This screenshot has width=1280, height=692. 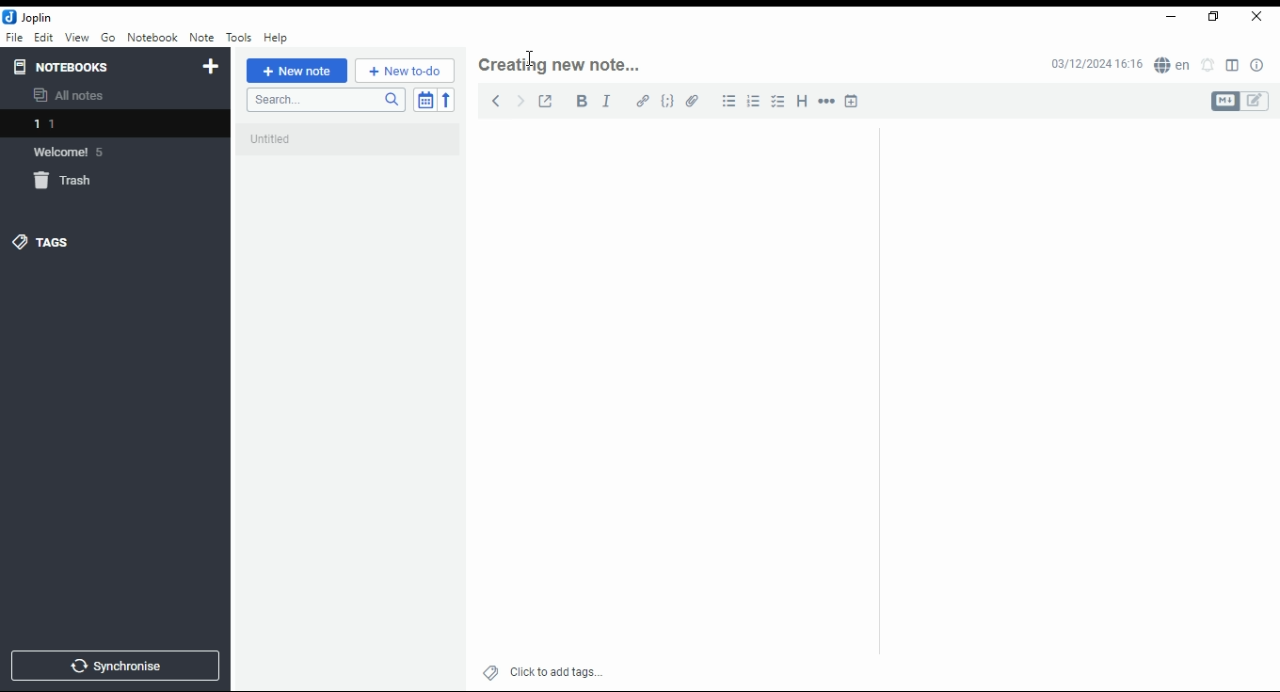 I want to click on edit, so click(x=43, y=36).